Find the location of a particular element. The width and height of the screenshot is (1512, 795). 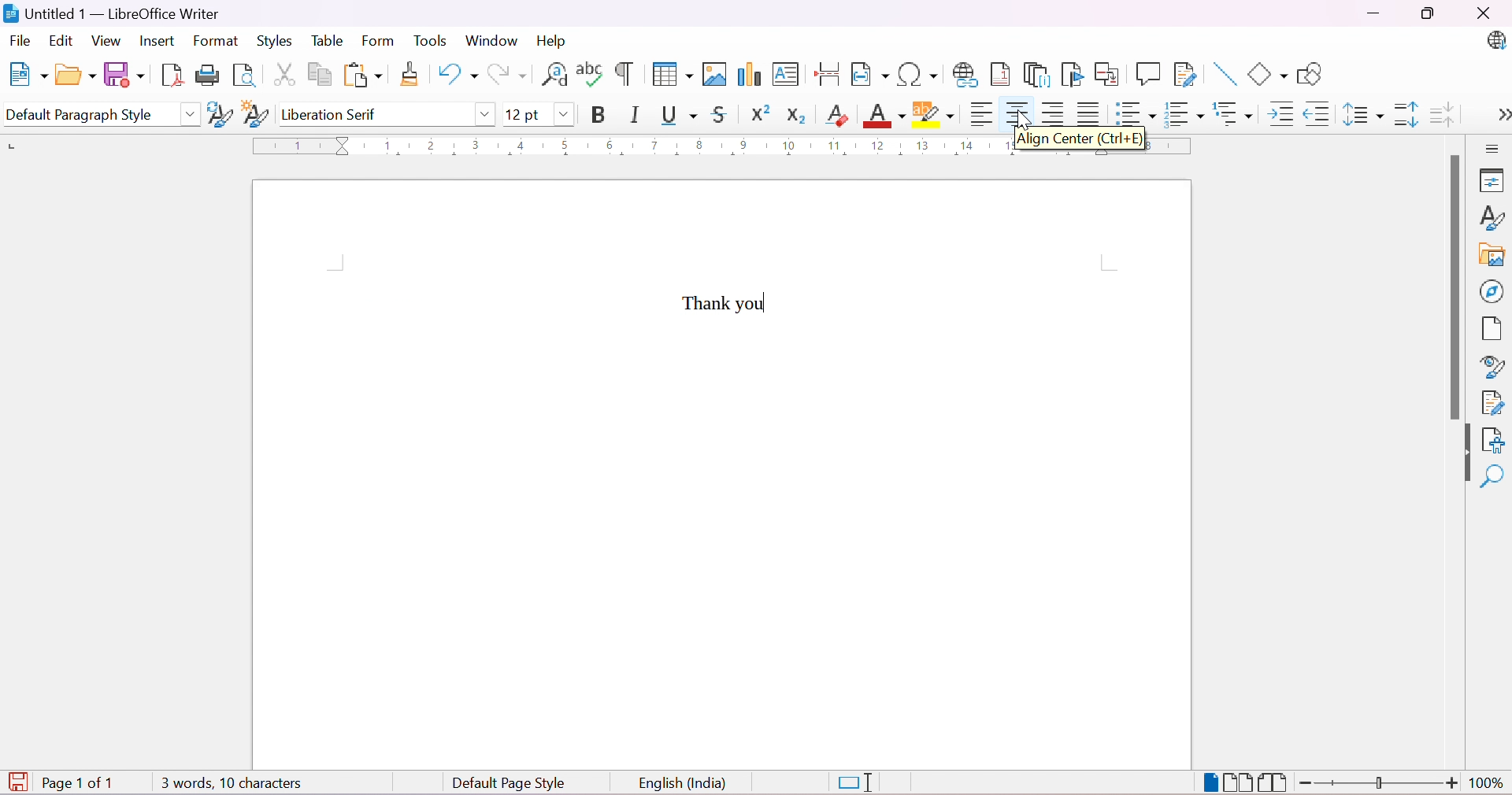

Format is located at coordinates (217, 40).